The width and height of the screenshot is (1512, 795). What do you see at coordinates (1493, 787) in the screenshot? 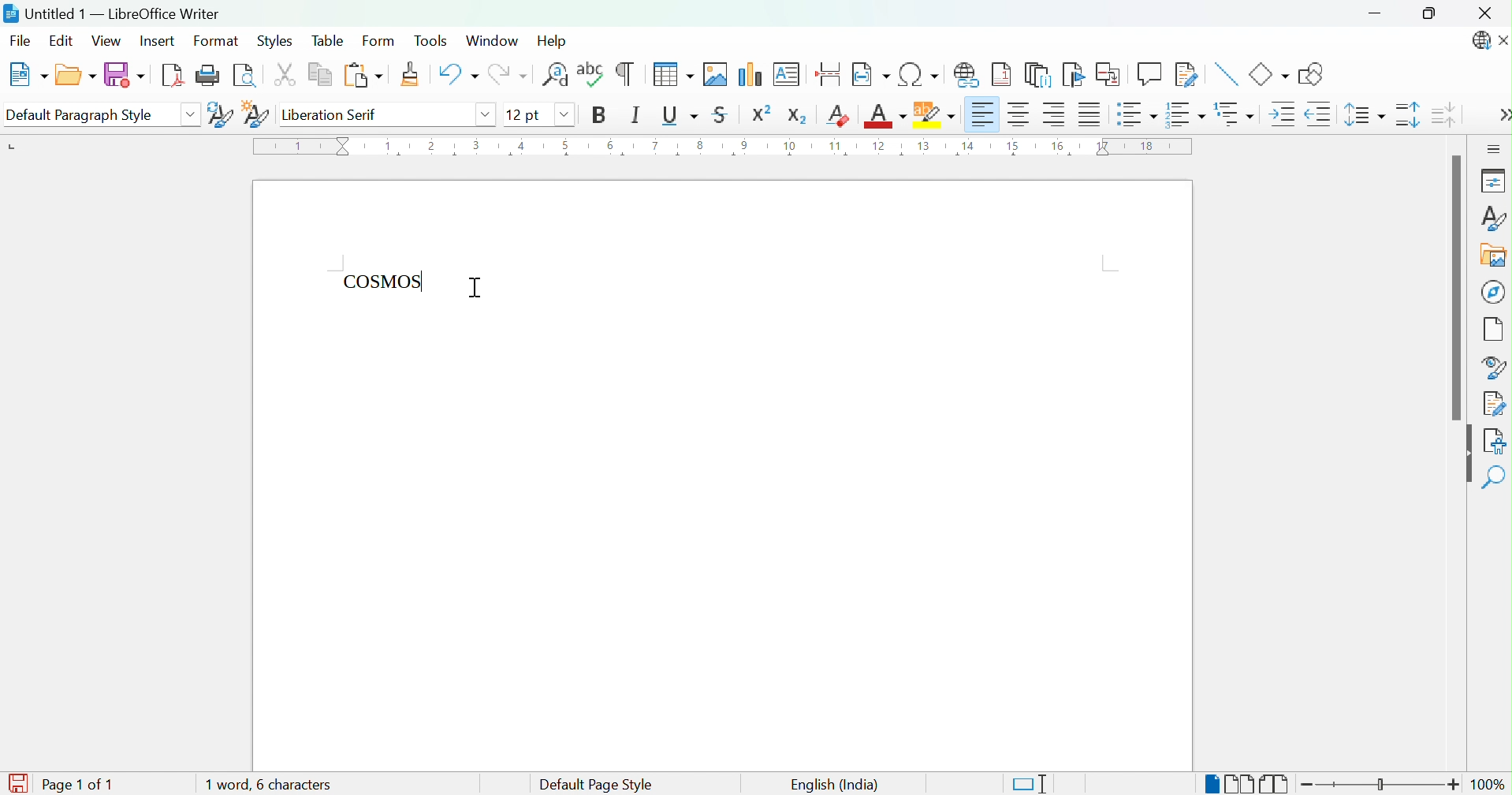
I see `100%` at bounding box center [1493, 787].